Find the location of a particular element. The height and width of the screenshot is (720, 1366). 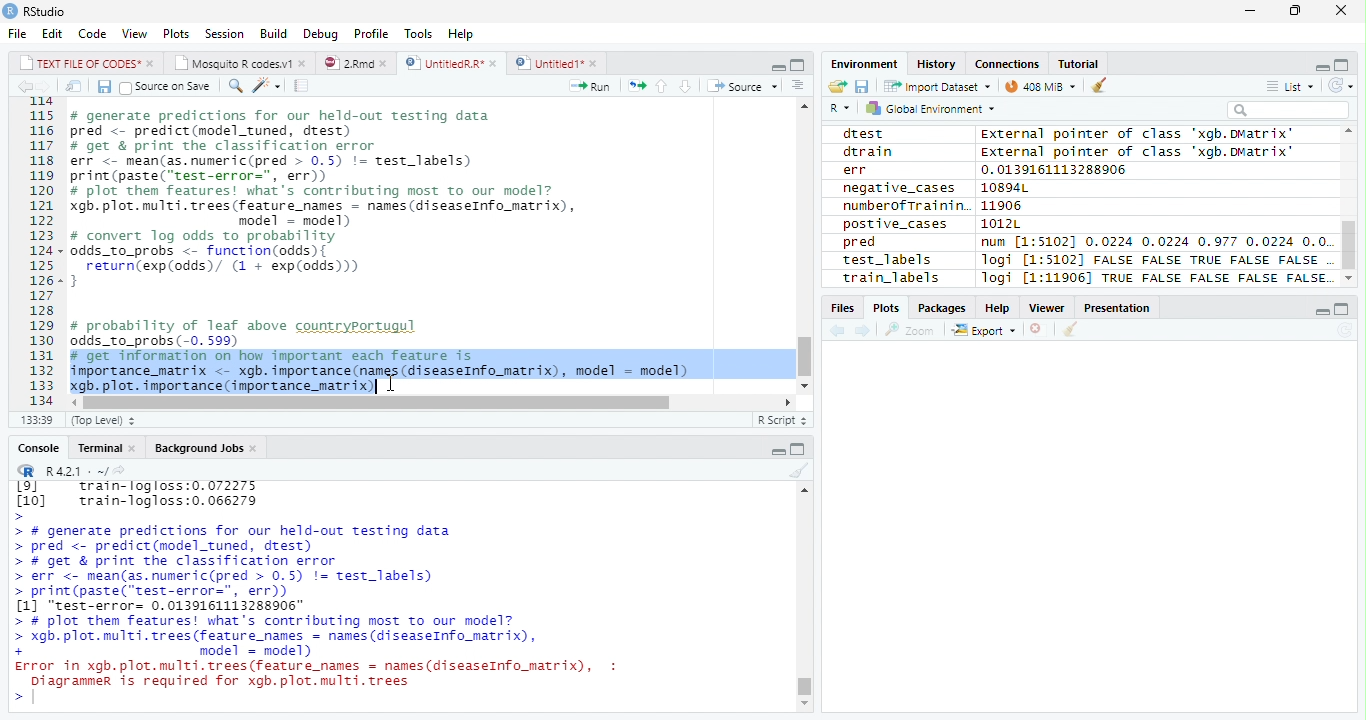

Restore Down is located at coordinates (1294, 11).